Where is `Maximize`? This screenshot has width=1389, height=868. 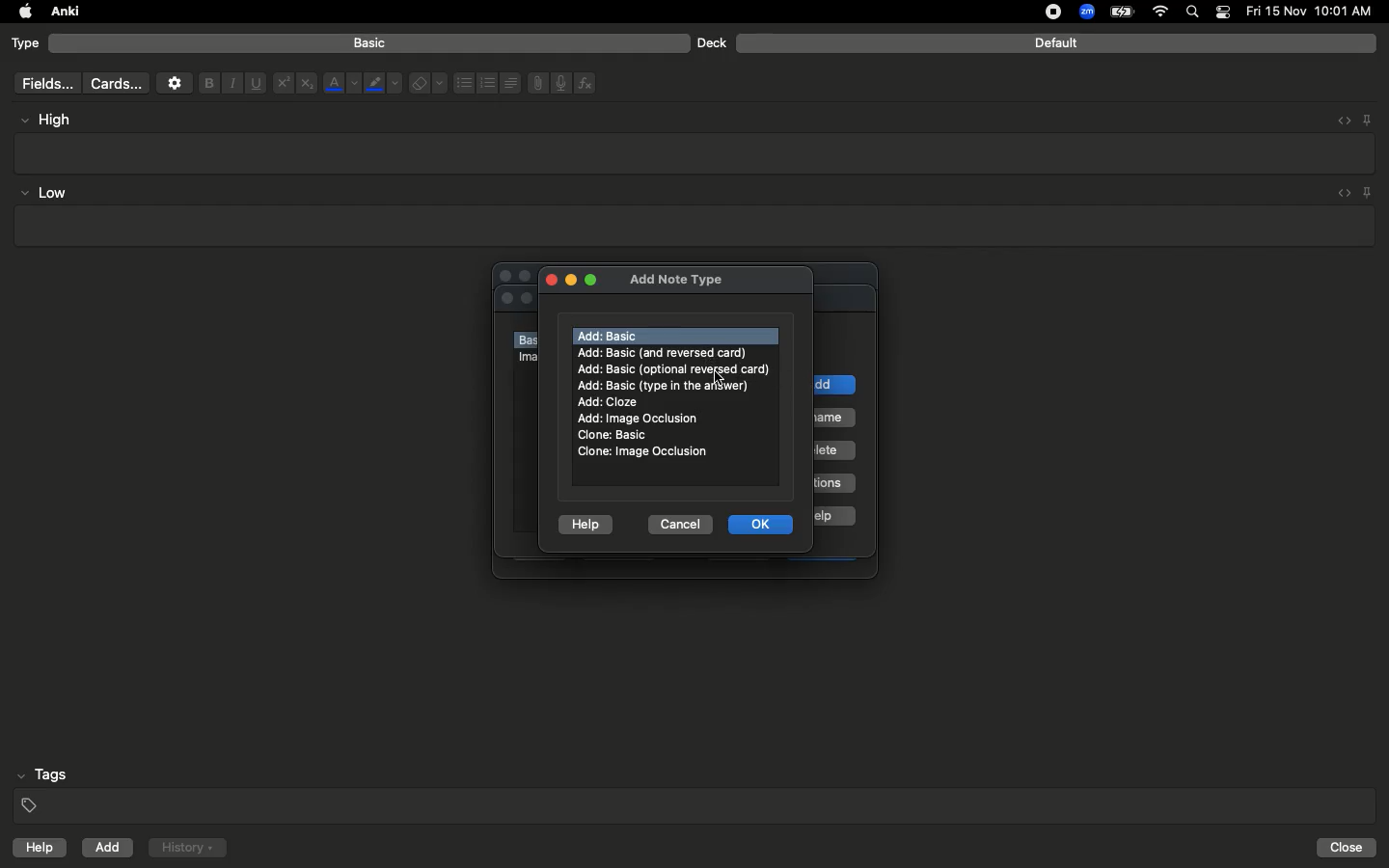
Maximize is located at coordinates (592, 282).